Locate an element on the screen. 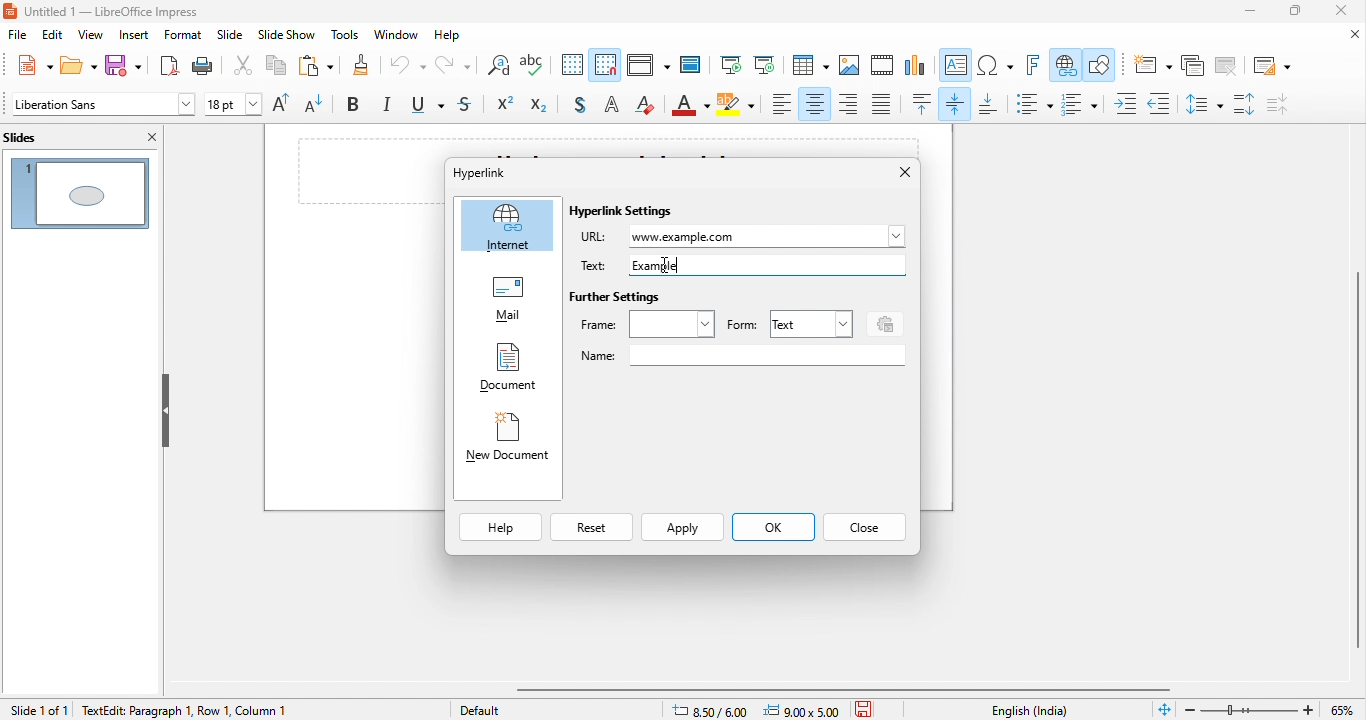 The width and height of the screenshot is (1366, 720). slide 1 is located at coordinates (80, 191).